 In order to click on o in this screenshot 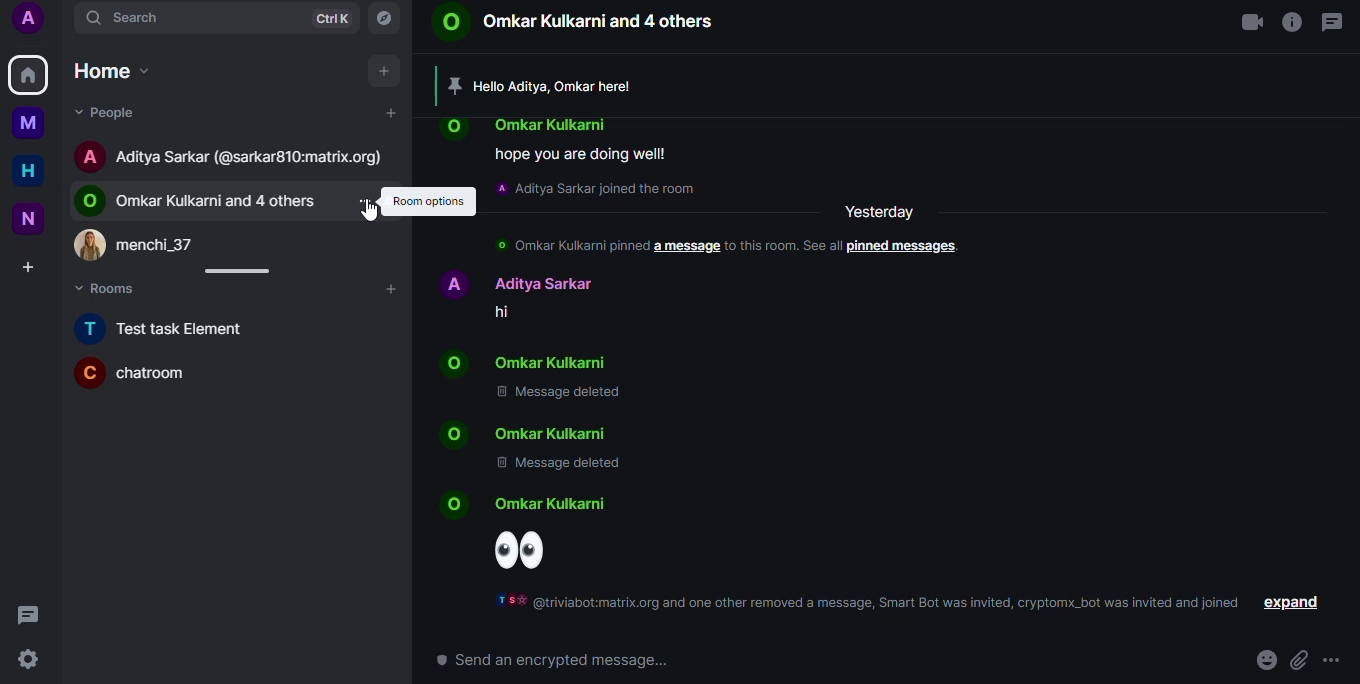, I will do `click(92, 201)`.